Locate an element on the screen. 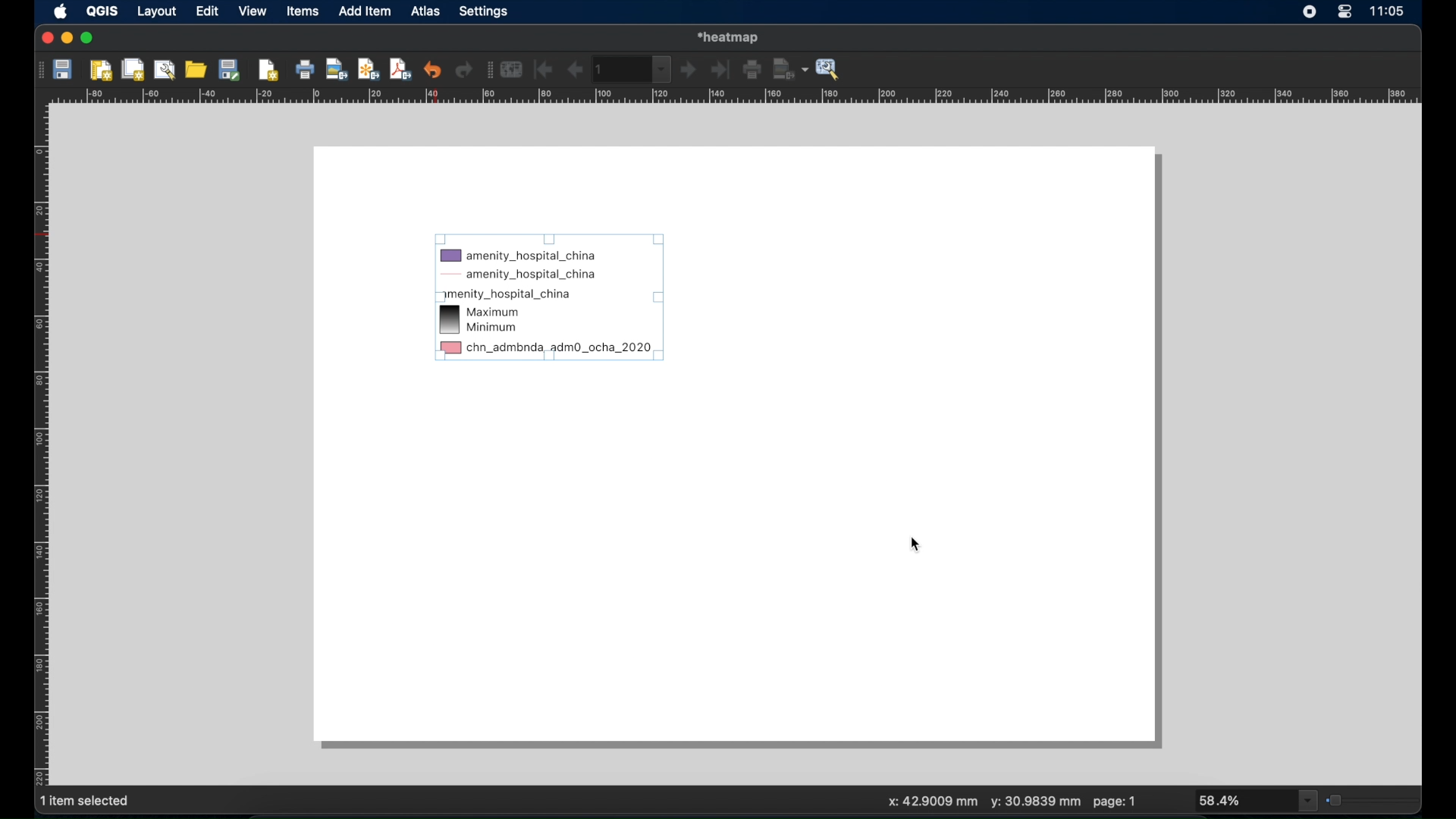 The image size is (1456, 819). minimize is located at coordinates (67, 39).